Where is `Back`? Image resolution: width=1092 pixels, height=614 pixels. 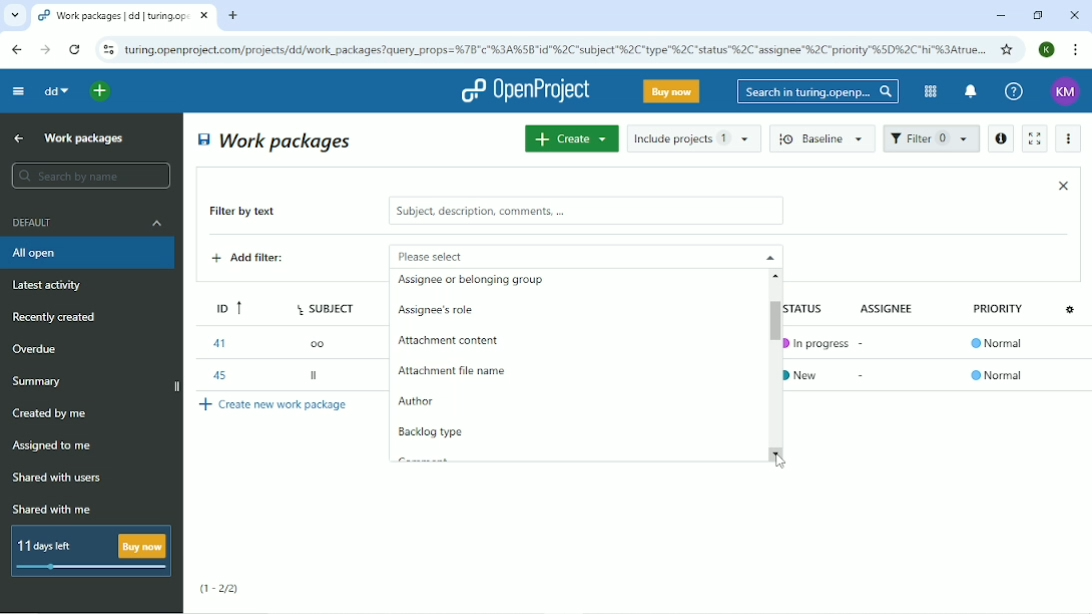
Back is located at coordinates (16, 49).